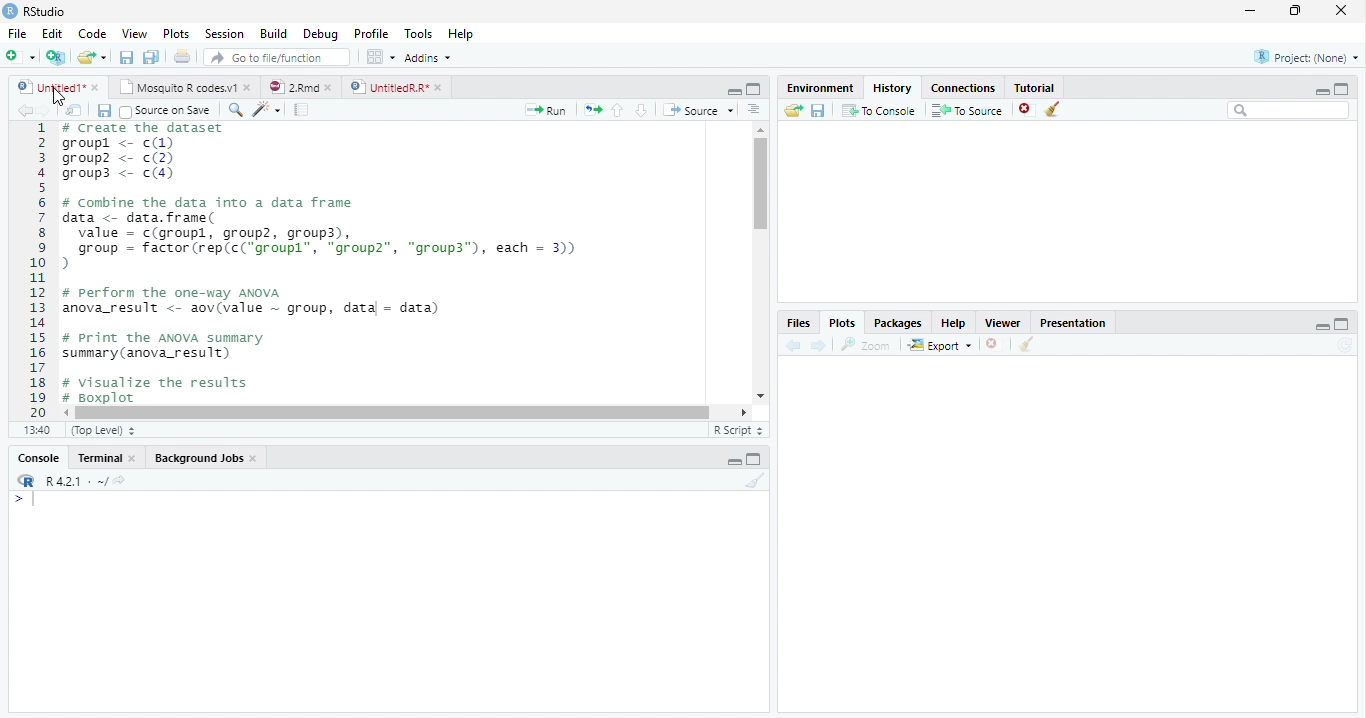 This screenshot has height=718, width=1366. Describe the element at coordinates (1305, 57) in the screenshot. I see `Project (None)` at that location.